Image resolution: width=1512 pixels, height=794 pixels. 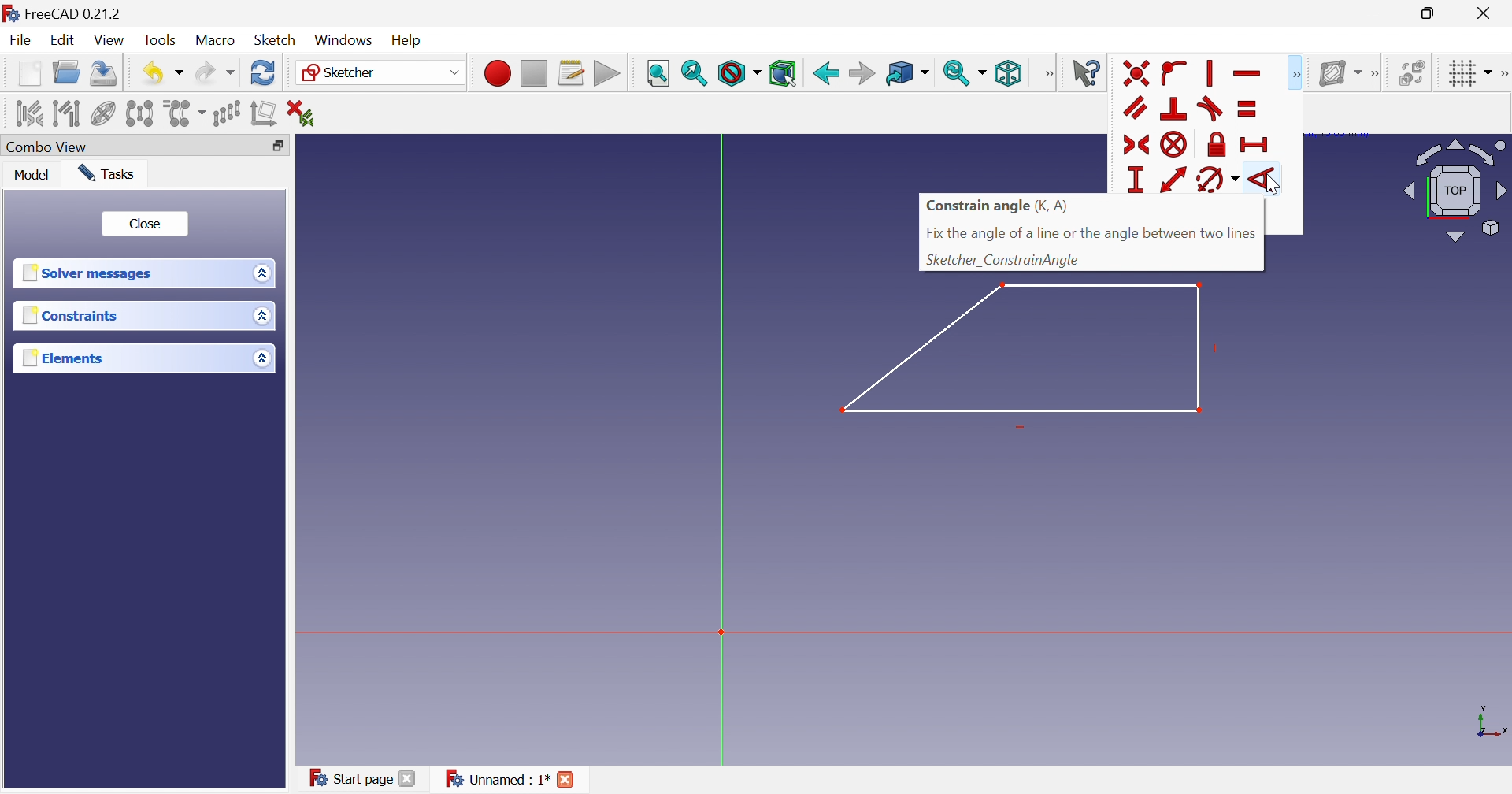 What do you see at coordinates (495, 72) in the screenshot?
I see `Macro recording ...` at bounding box center [495, 72].